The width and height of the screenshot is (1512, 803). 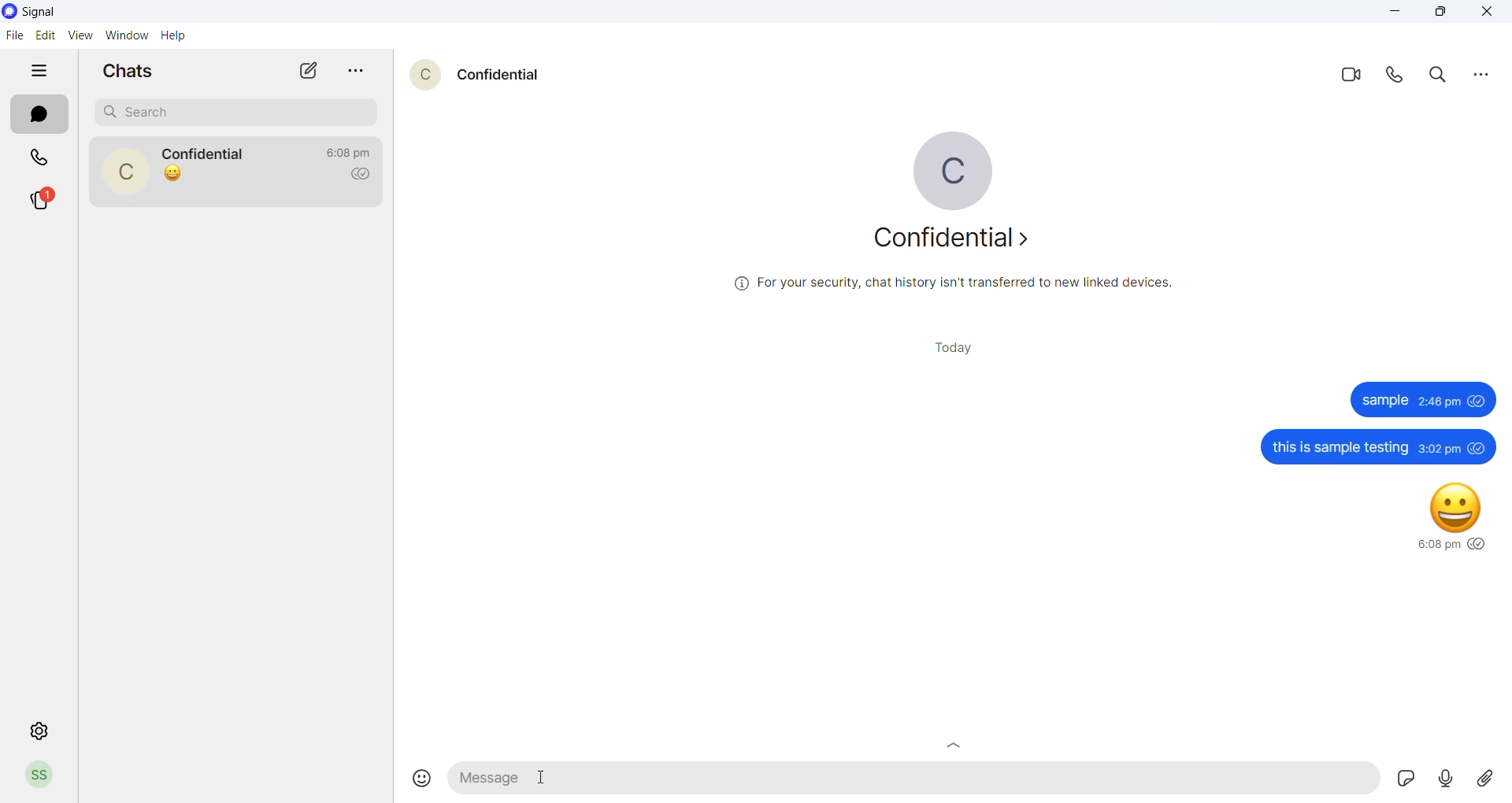 What do you see at coordinates (209, 154) in the screenshot?
I see `contact name` at bounding box center [209, 154].